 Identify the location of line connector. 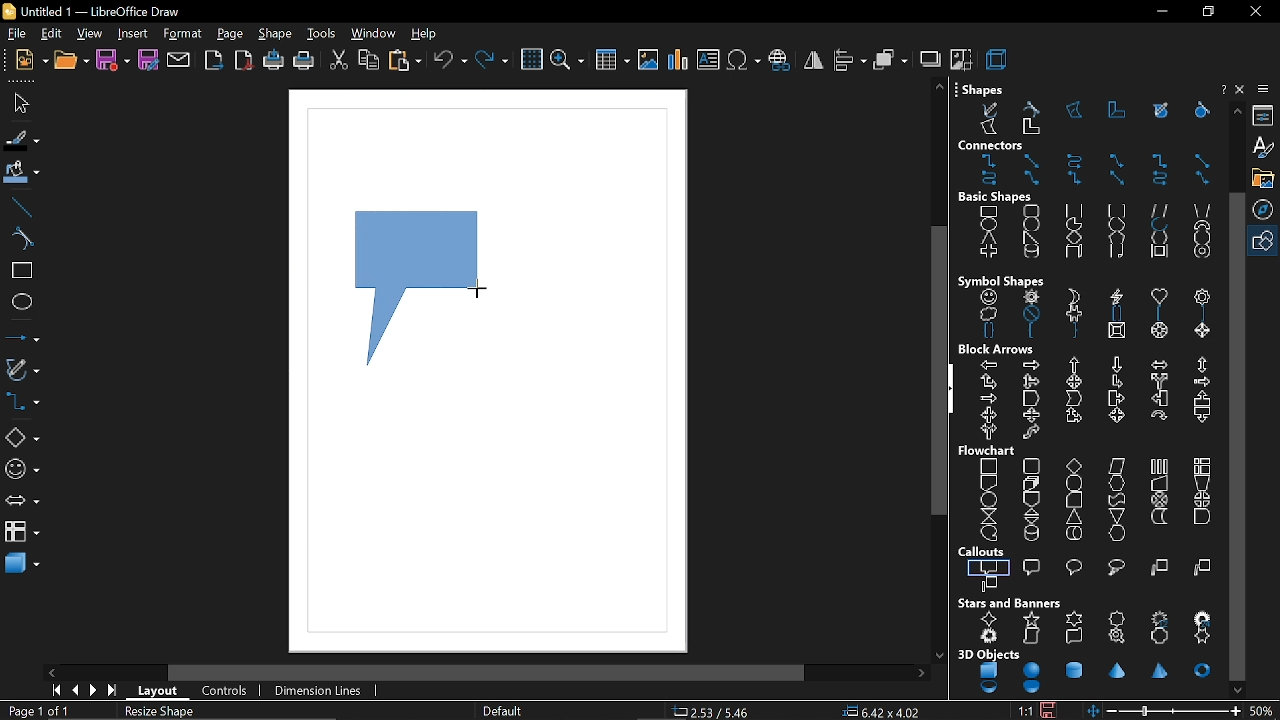
(1031, 180).